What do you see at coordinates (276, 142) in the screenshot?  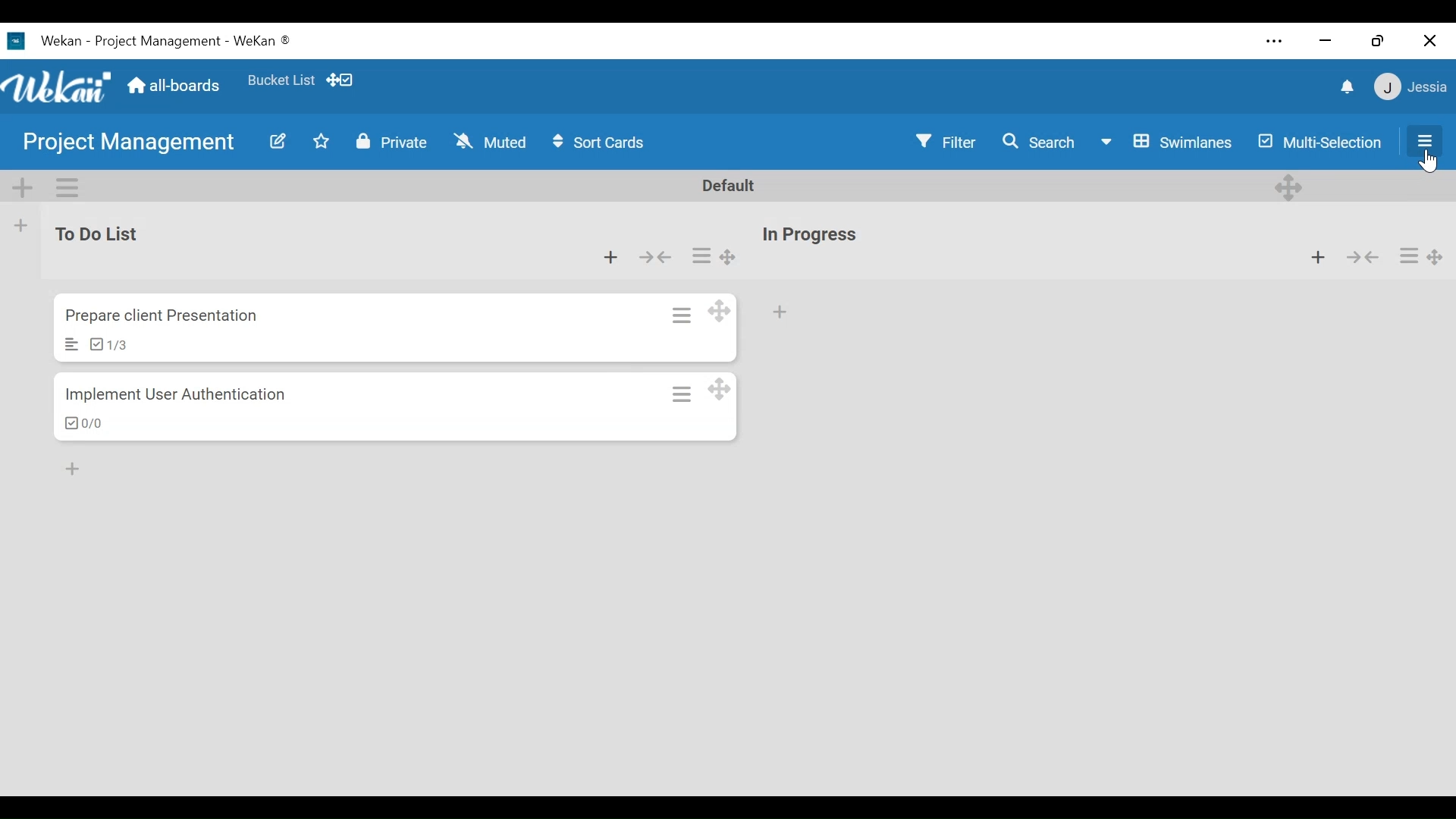 I see `Edit` at bounding box center [276, 142].